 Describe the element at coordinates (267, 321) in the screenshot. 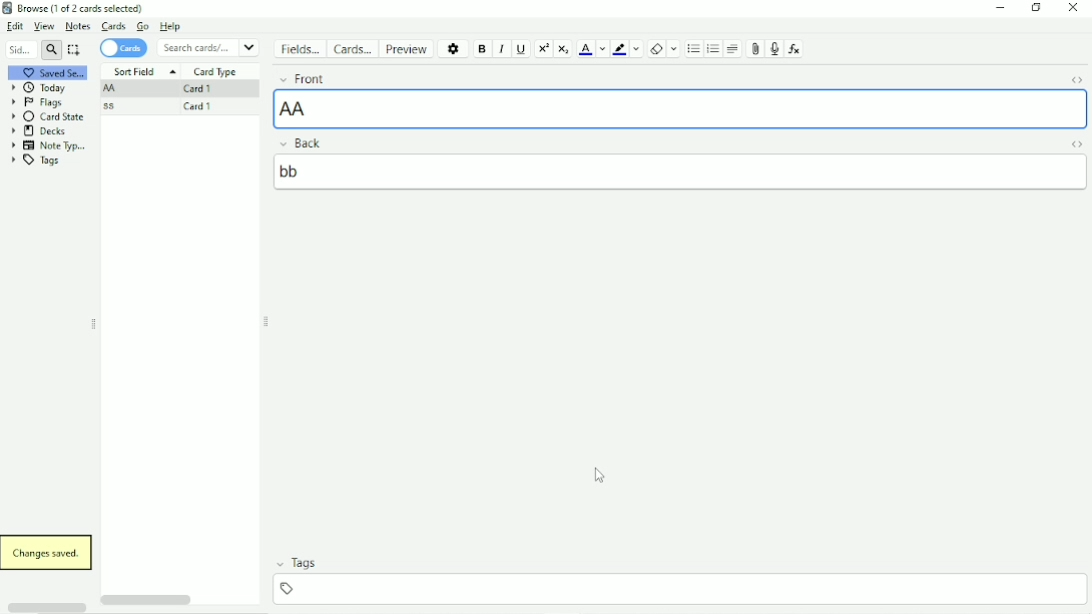

I see `Resize` at that location.